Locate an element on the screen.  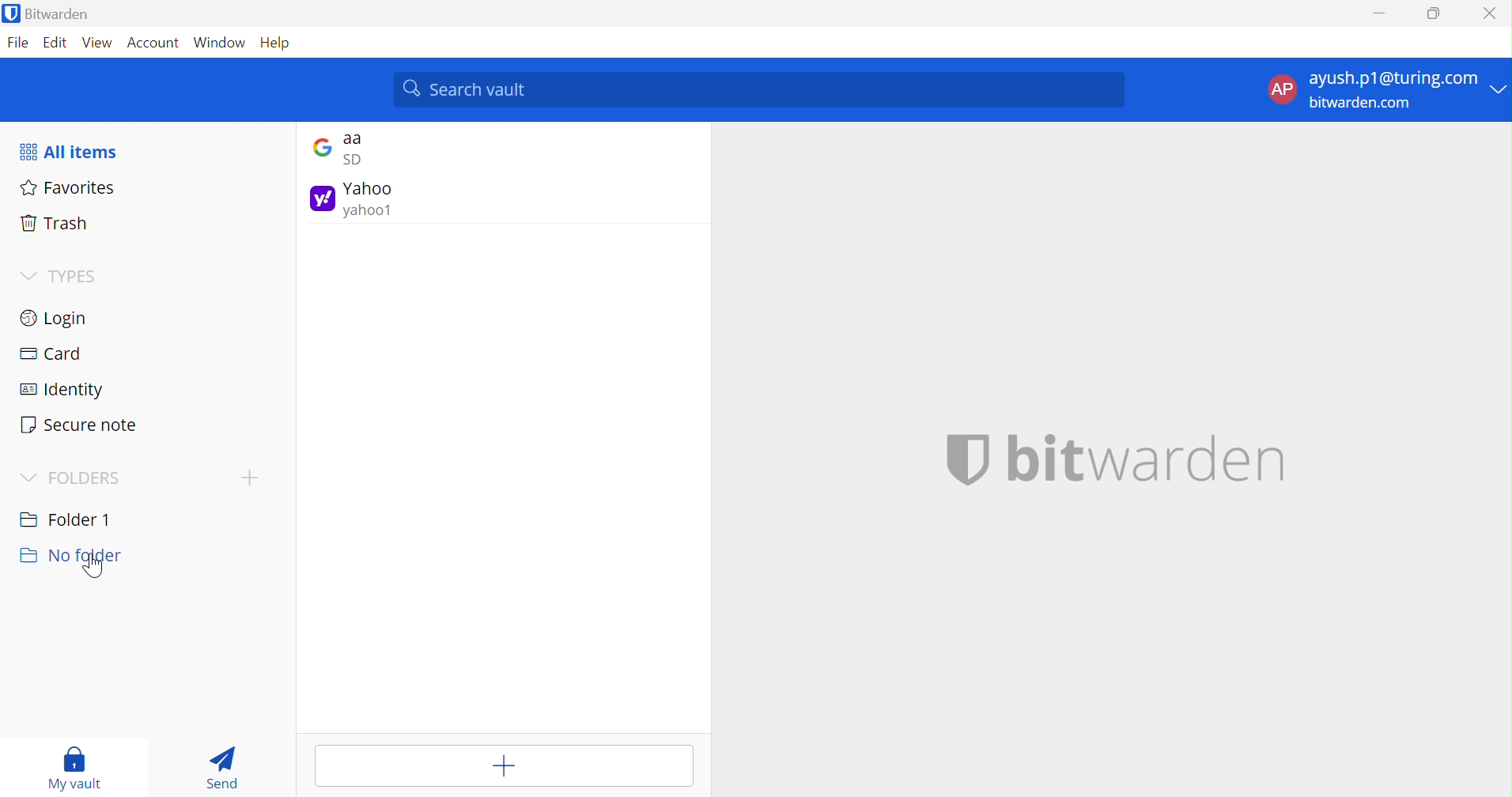
Restore Down is located at coordinates (1432, 13).